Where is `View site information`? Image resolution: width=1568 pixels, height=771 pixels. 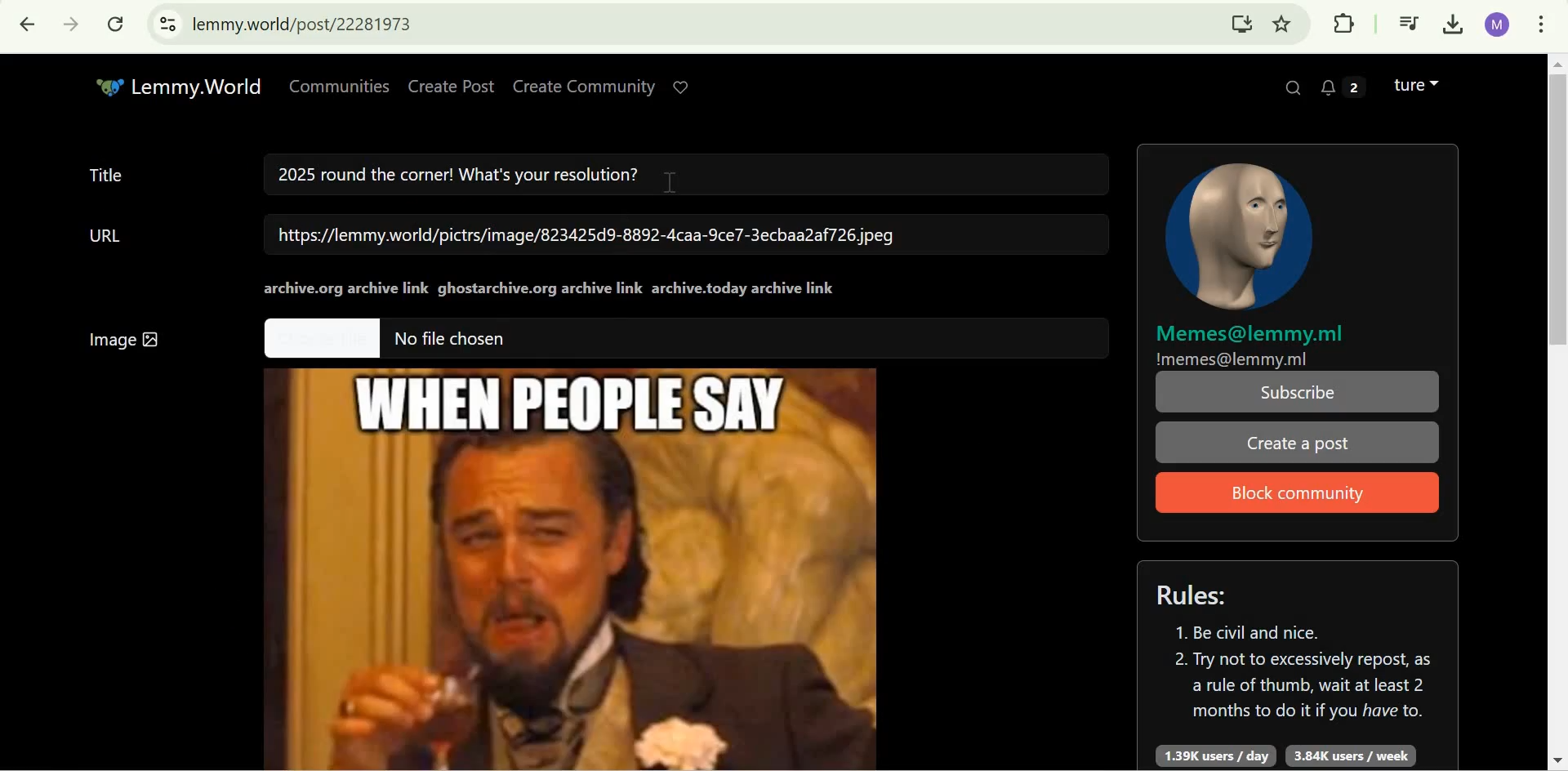
View site information is located at coordinates (167, 25).